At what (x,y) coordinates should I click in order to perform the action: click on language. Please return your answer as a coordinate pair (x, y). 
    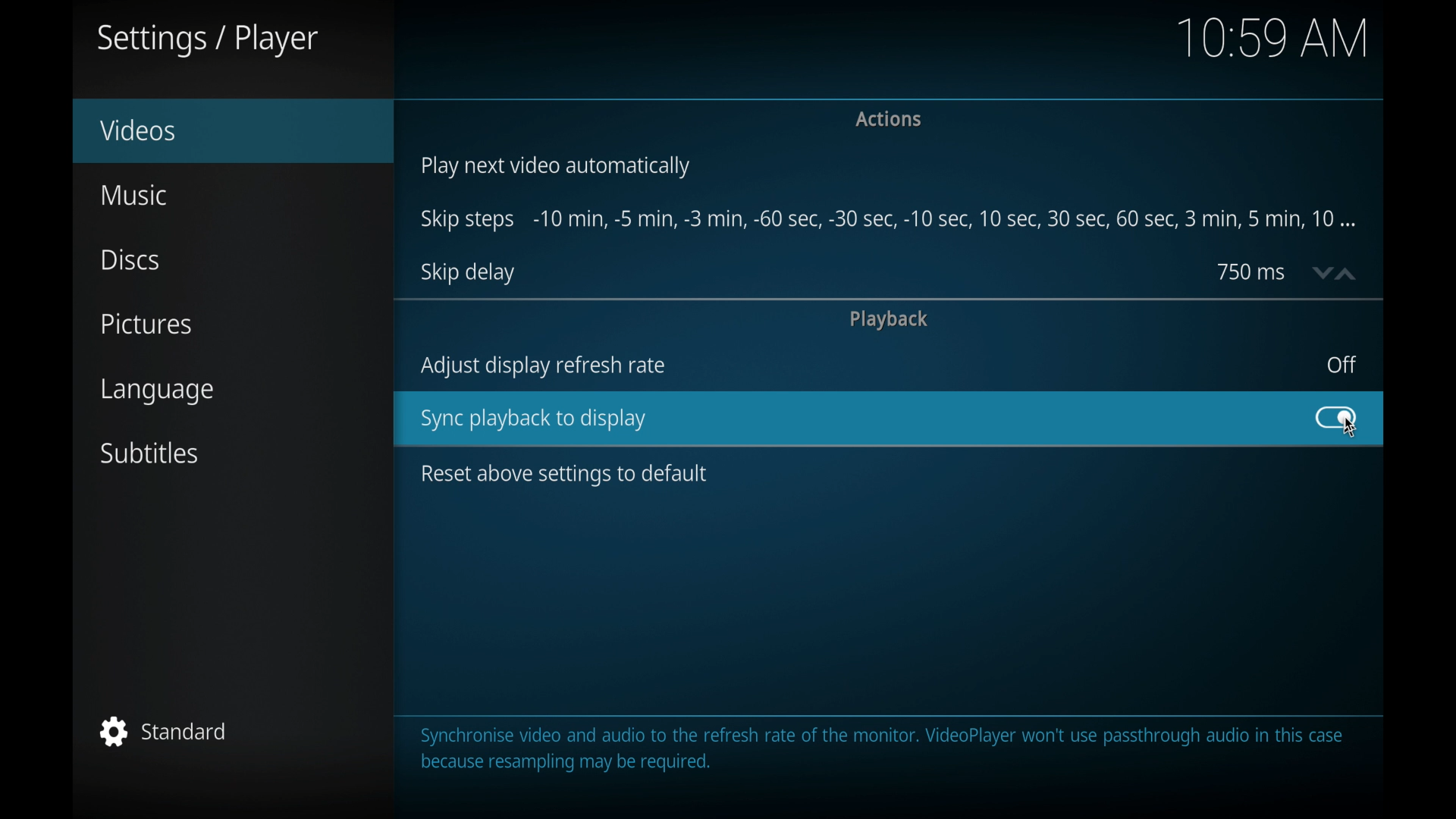
    Looking at the image, I should click on (158, 391).